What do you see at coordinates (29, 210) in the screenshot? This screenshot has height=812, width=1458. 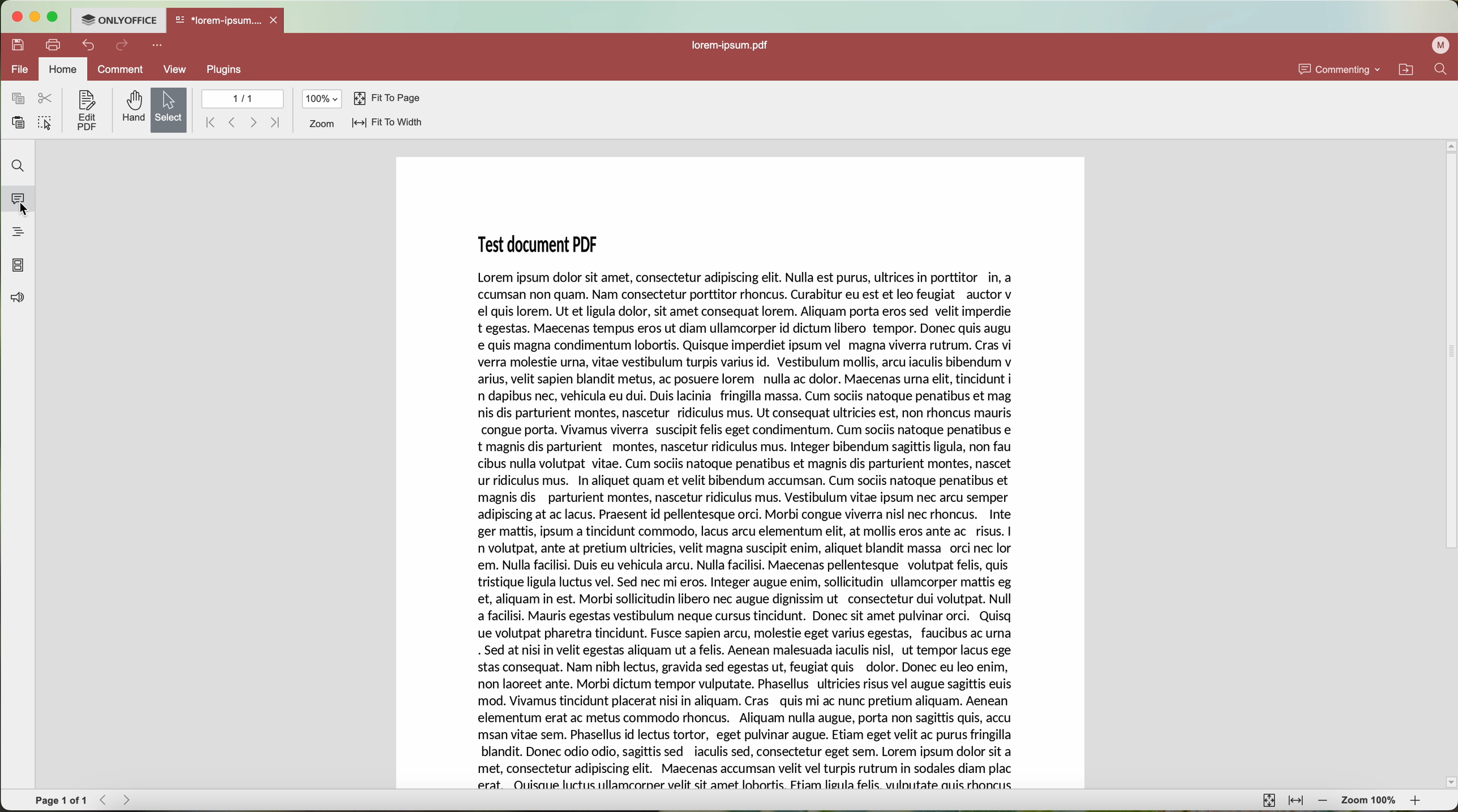 I see `cursor` at bounding box center [29, 210].